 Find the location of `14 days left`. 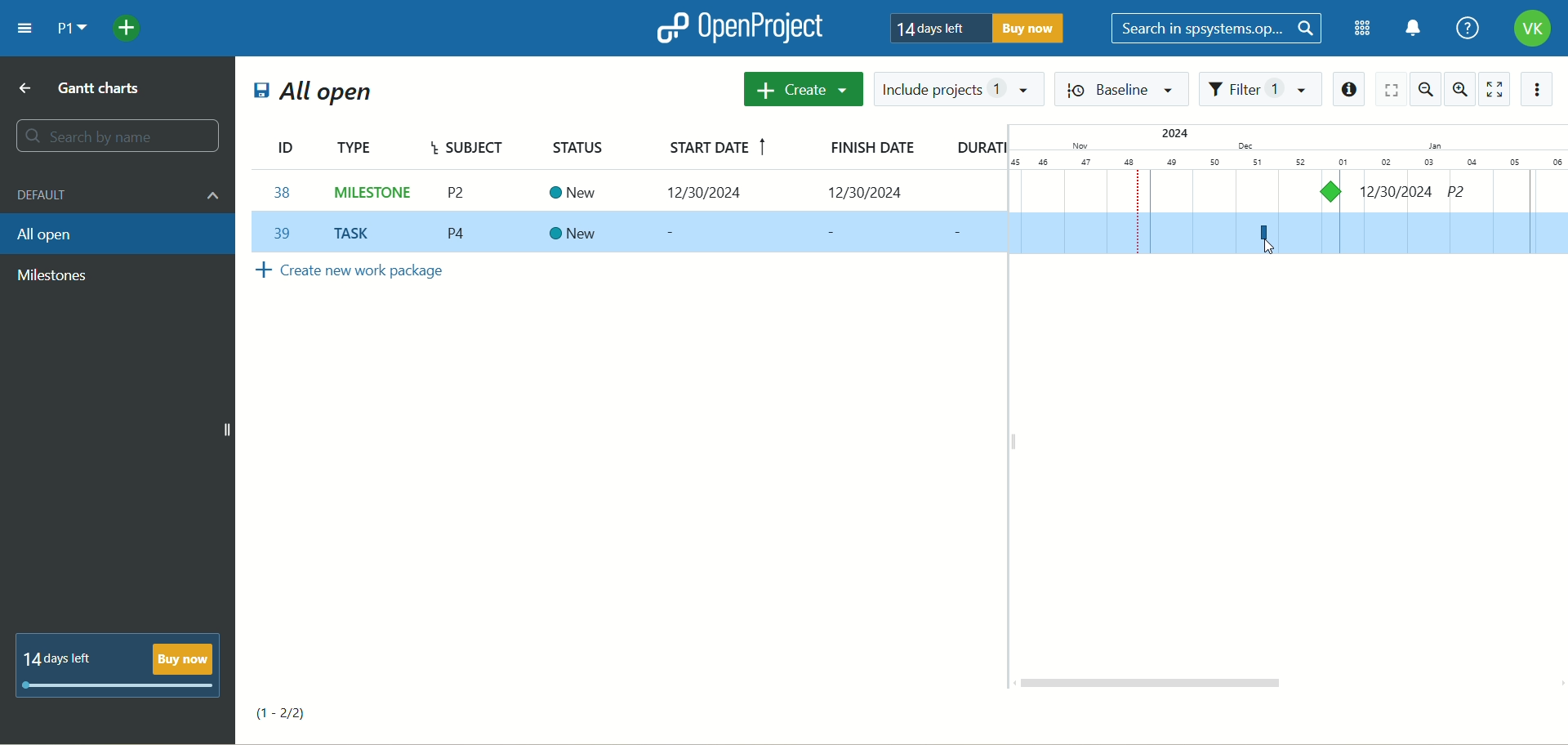

14 days left is located at coordinates (938, 29).